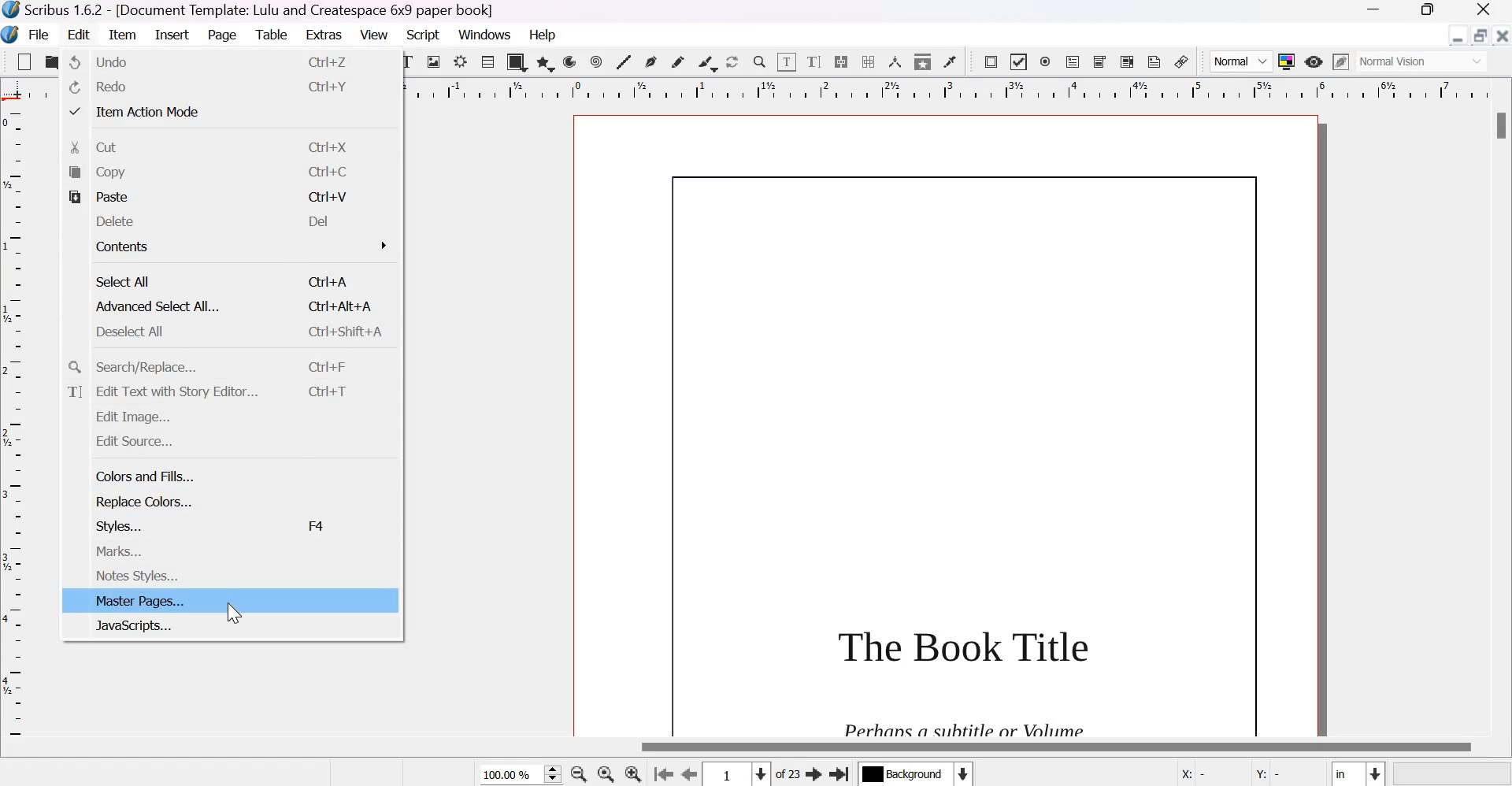 Image resolution: width=1512 pixels, height=786 pixels. I want to click on cut, so click(222, 147).